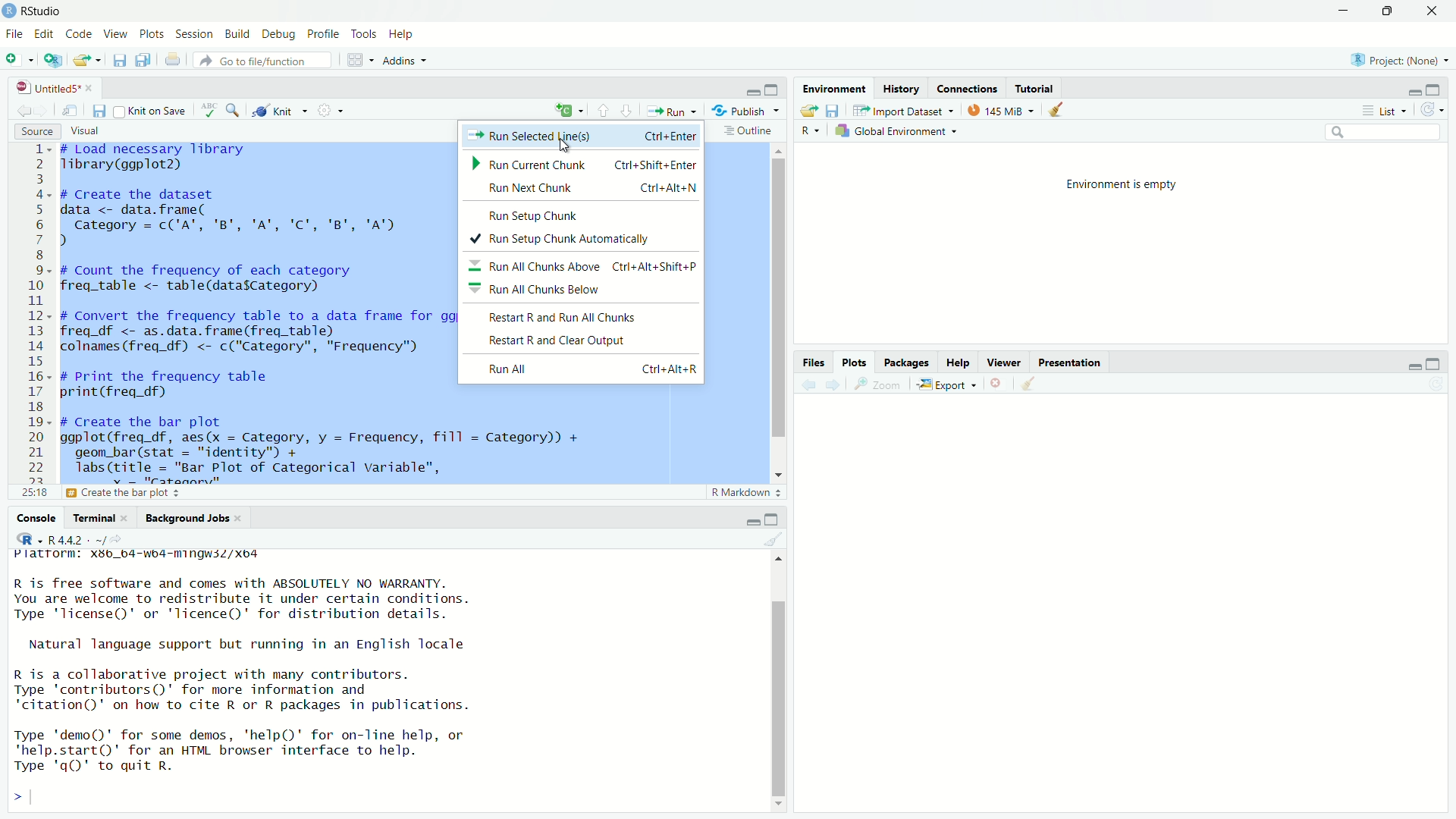 The width and height of the screenshot is (1456, 819). What do you see at coordinates (47, 11) in the screenshot?
I see `RStudio` at bounding box center [47, 11].